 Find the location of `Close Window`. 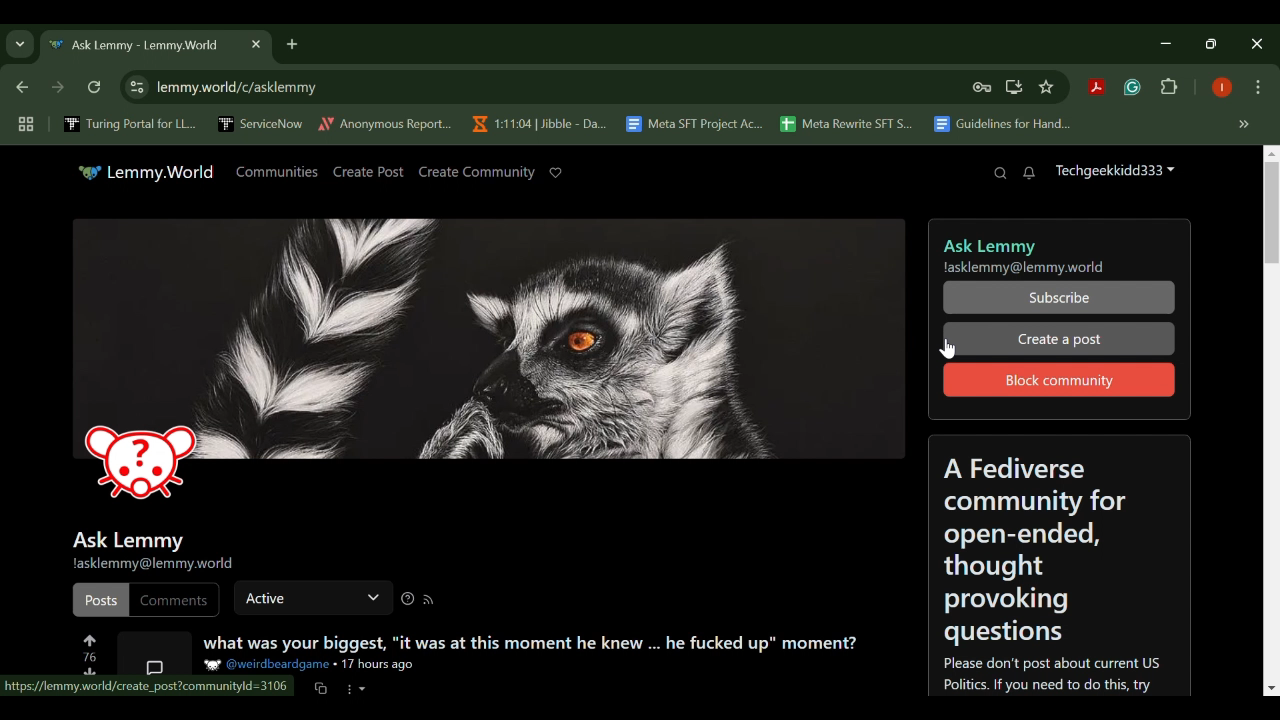

Close Window is located at coordinates (1258, 44).